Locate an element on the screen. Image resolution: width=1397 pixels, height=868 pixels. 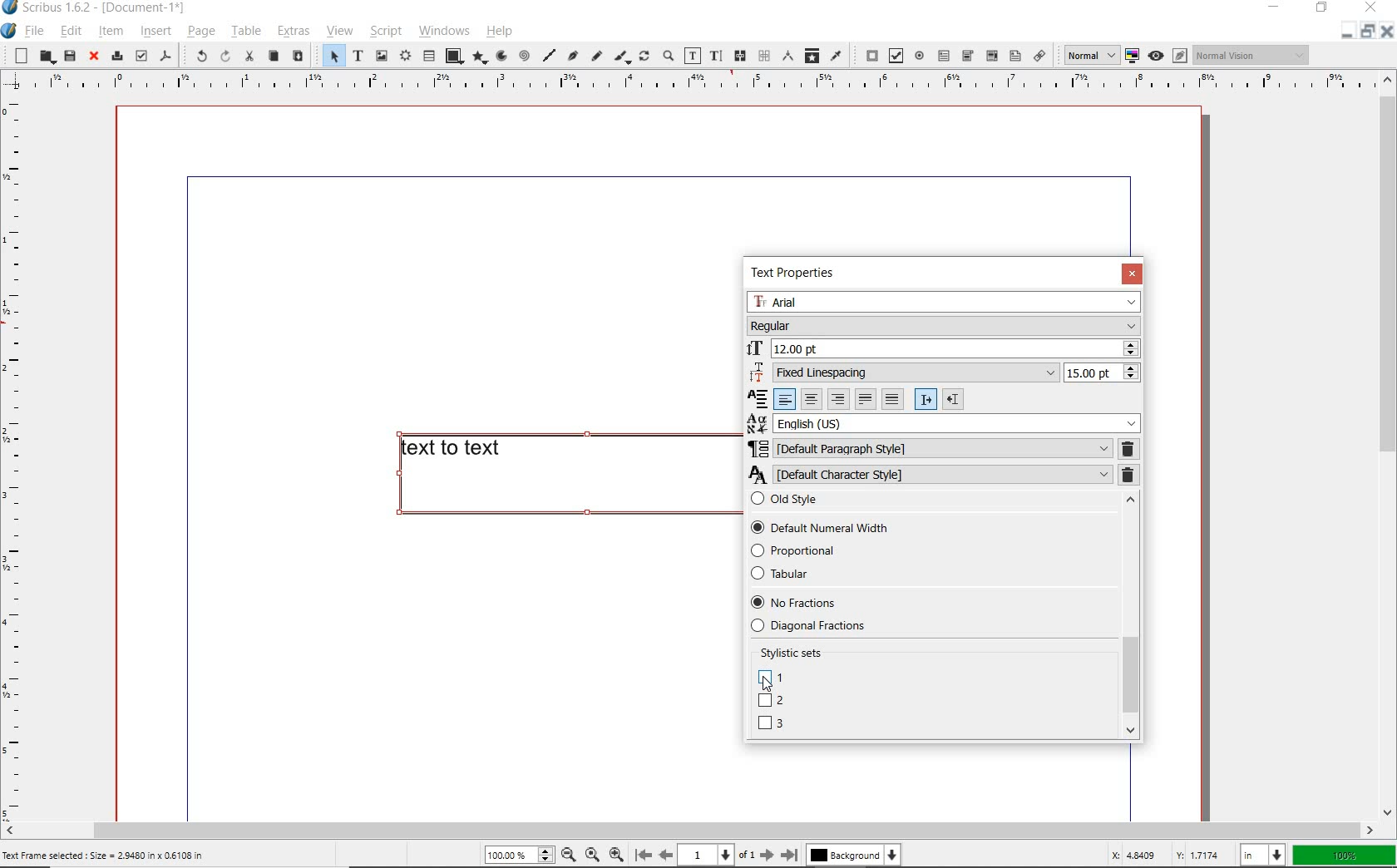
file is located at coordinates (35, 32).